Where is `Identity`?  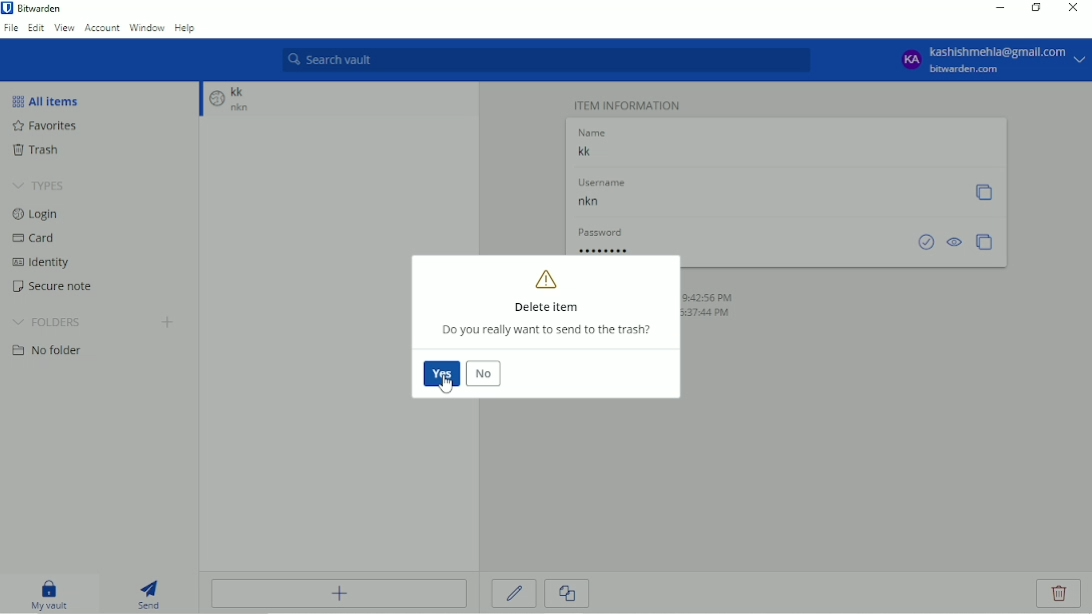 Identity is located at coordinates (42, 263).